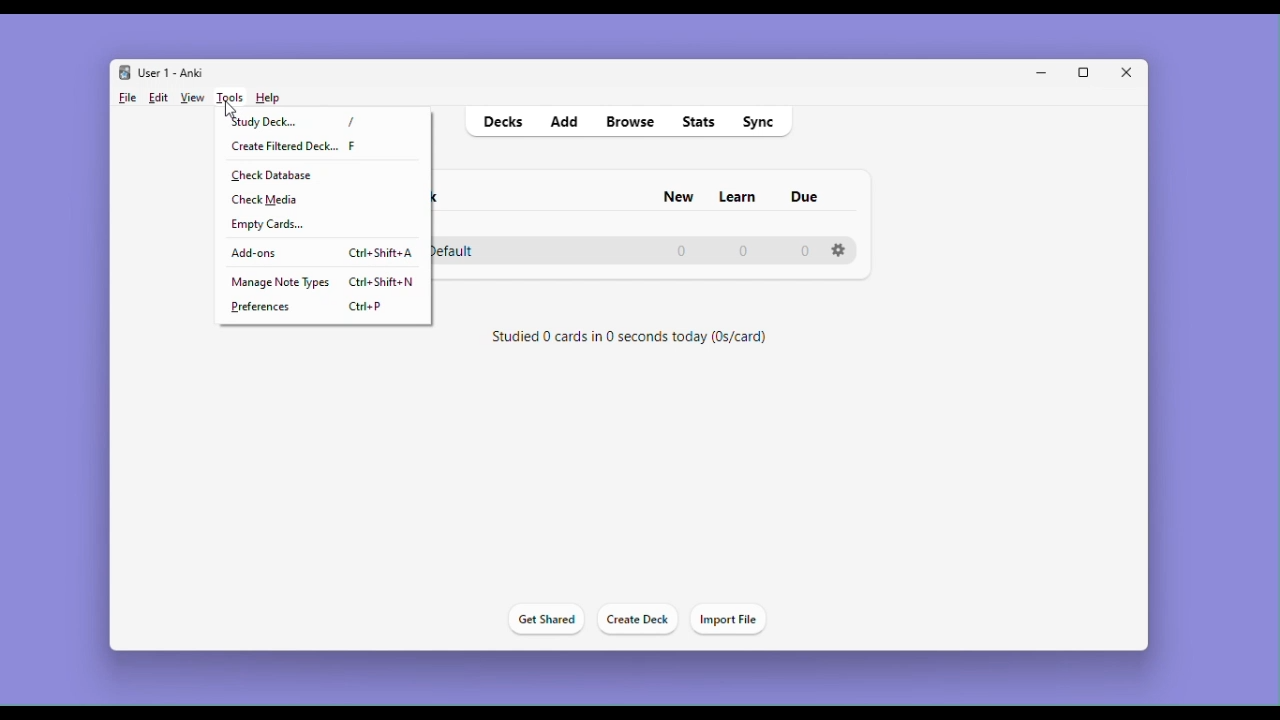 The height and width of the screenshot is (720, 1280). Describe the element at coordinates (271, 99) in the screenshot. I see `Help` at that location.